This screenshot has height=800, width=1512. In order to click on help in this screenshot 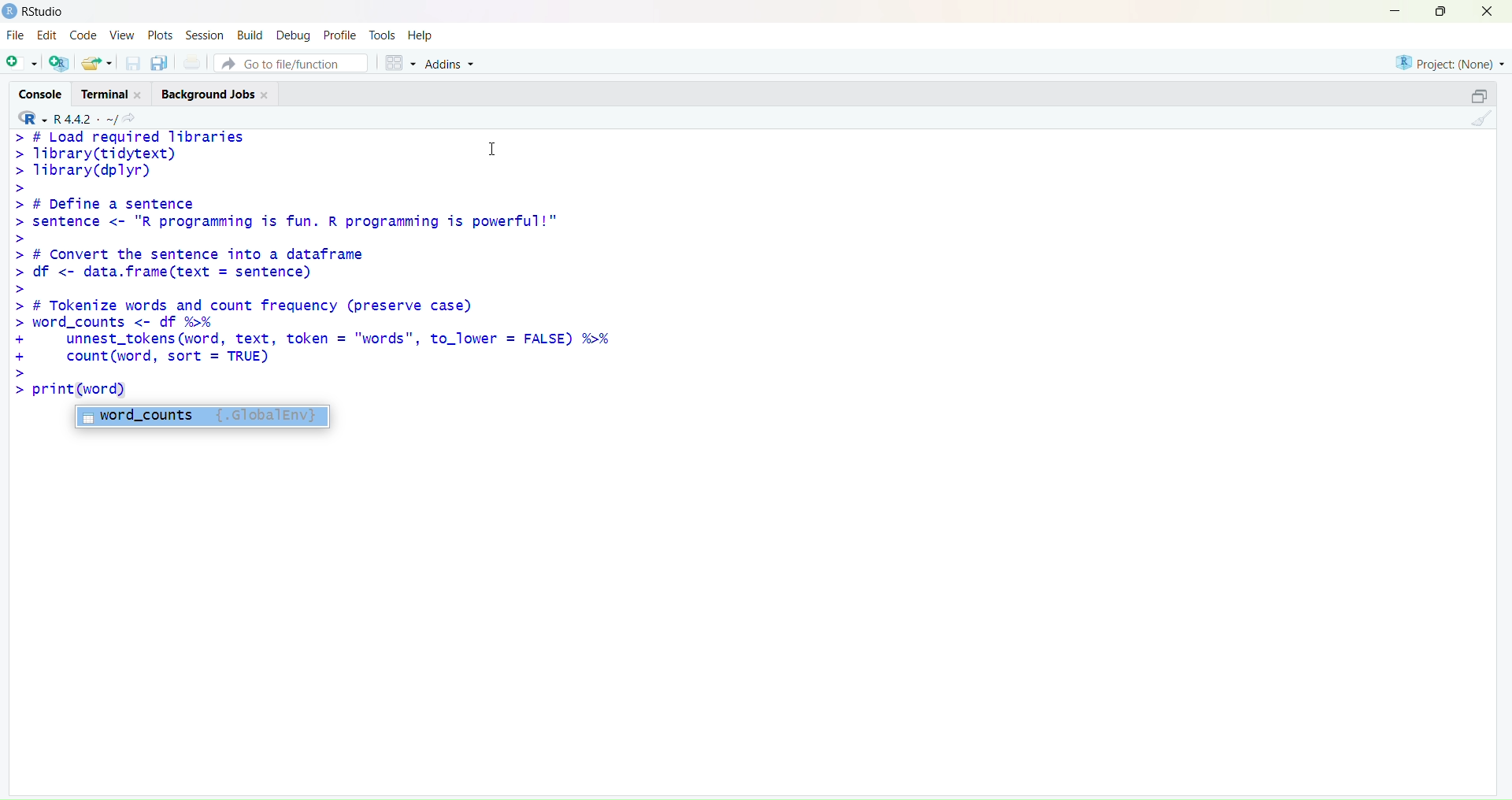, I will do `click(421, 37)`.